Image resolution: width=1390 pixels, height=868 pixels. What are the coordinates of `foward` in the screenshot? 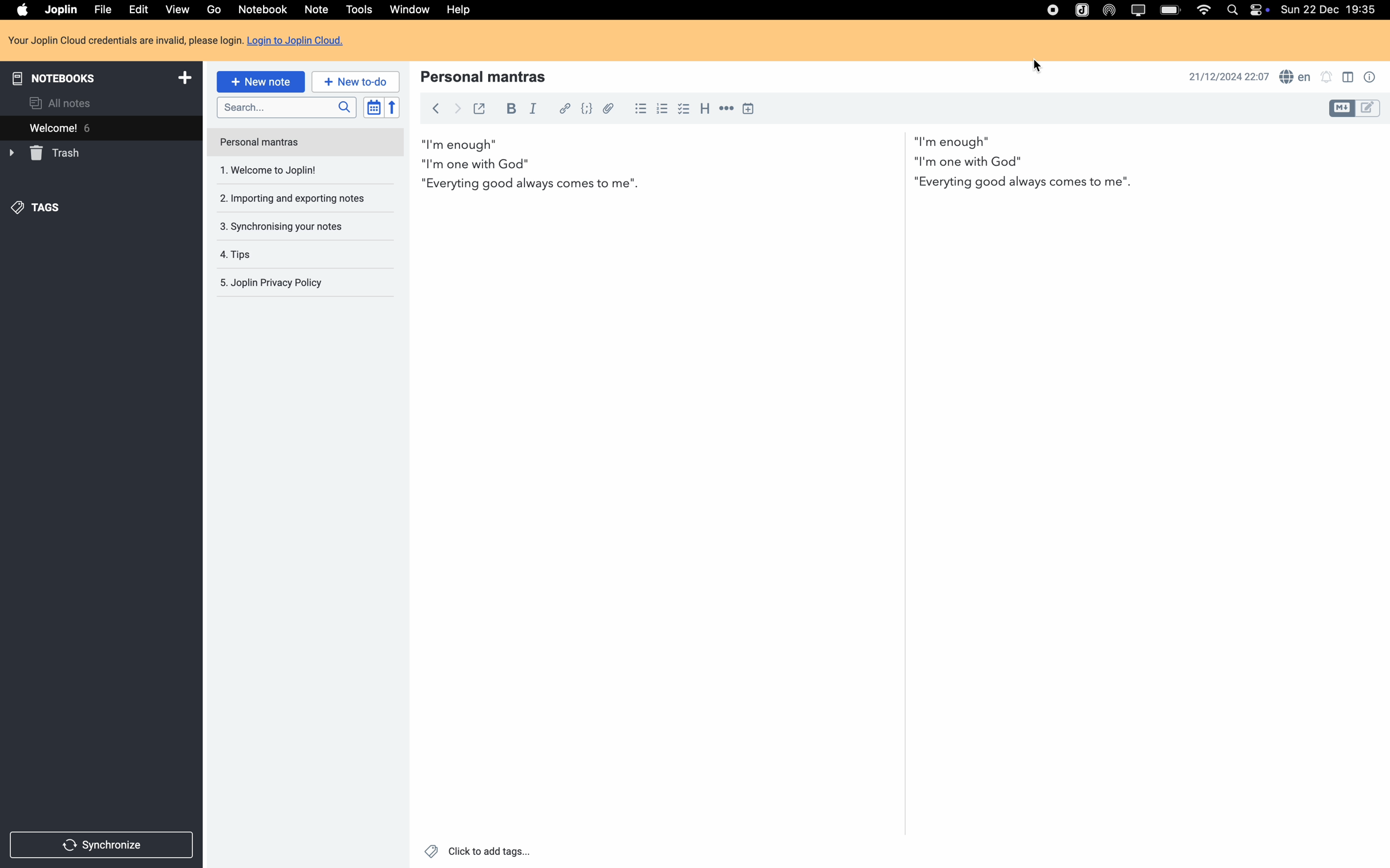 It's located at (459, 109).